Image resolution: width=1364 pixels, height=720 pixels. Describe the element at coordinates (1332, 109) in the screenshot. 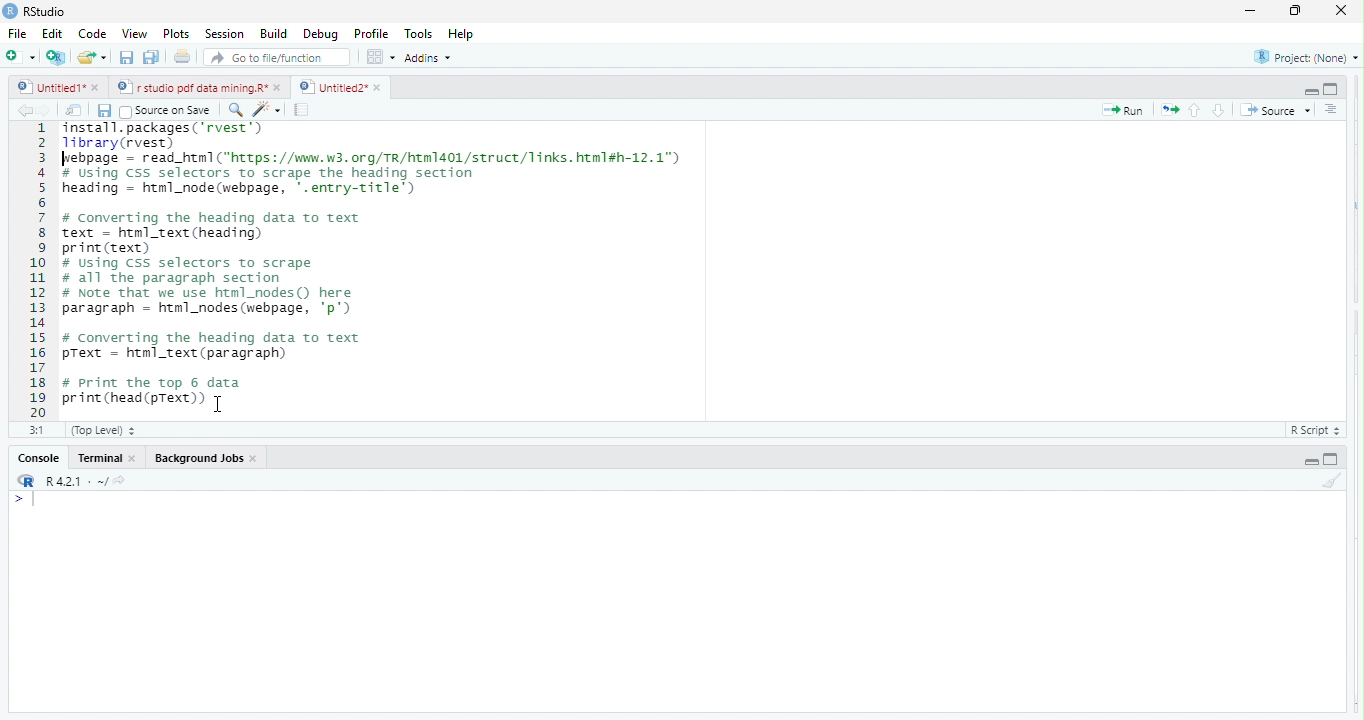

I see `show document outline` at that location.